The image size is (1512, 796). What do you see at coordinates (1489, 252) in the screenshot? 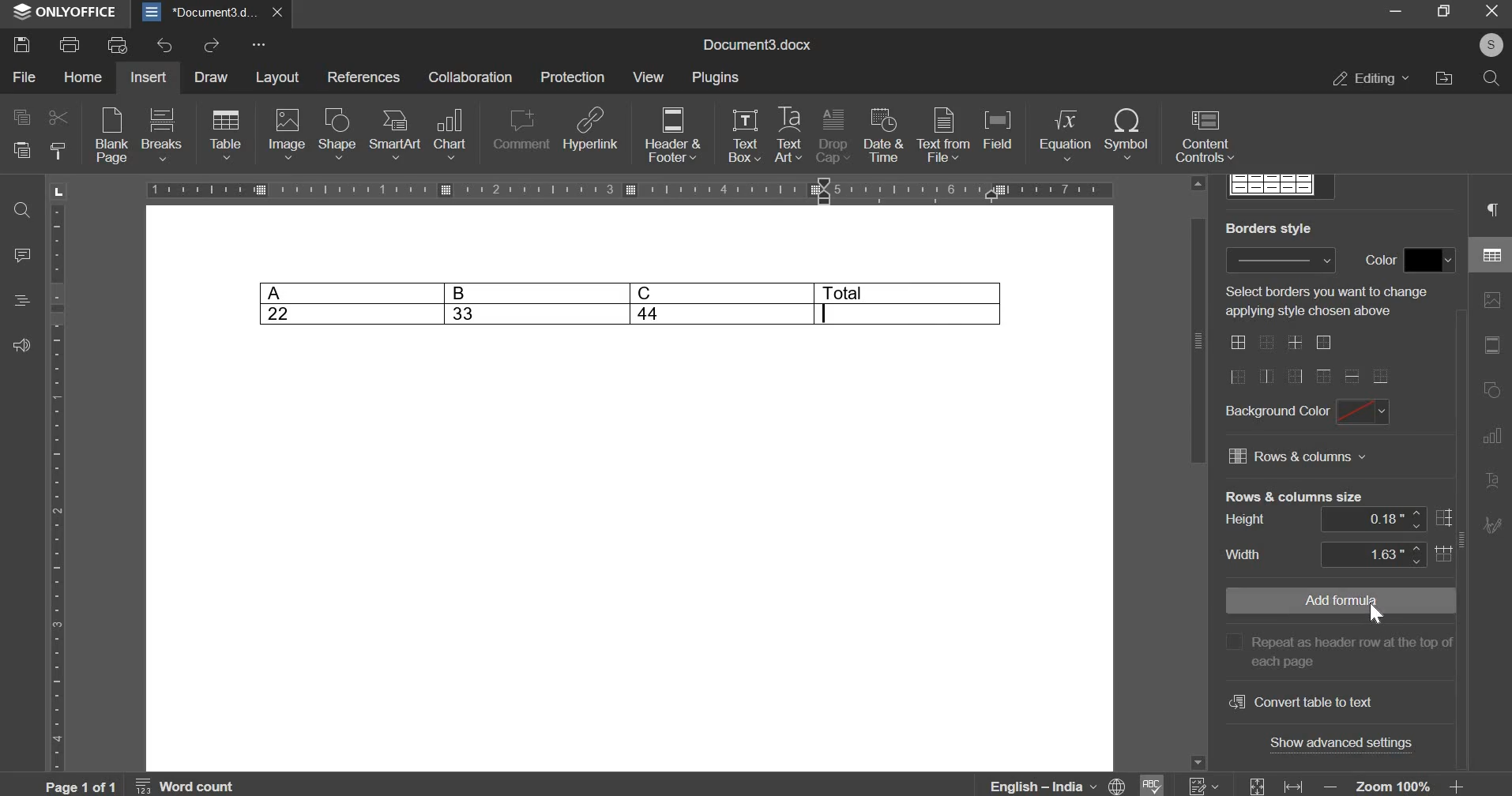
I see `table settings` at bounding box center [1489, 252].